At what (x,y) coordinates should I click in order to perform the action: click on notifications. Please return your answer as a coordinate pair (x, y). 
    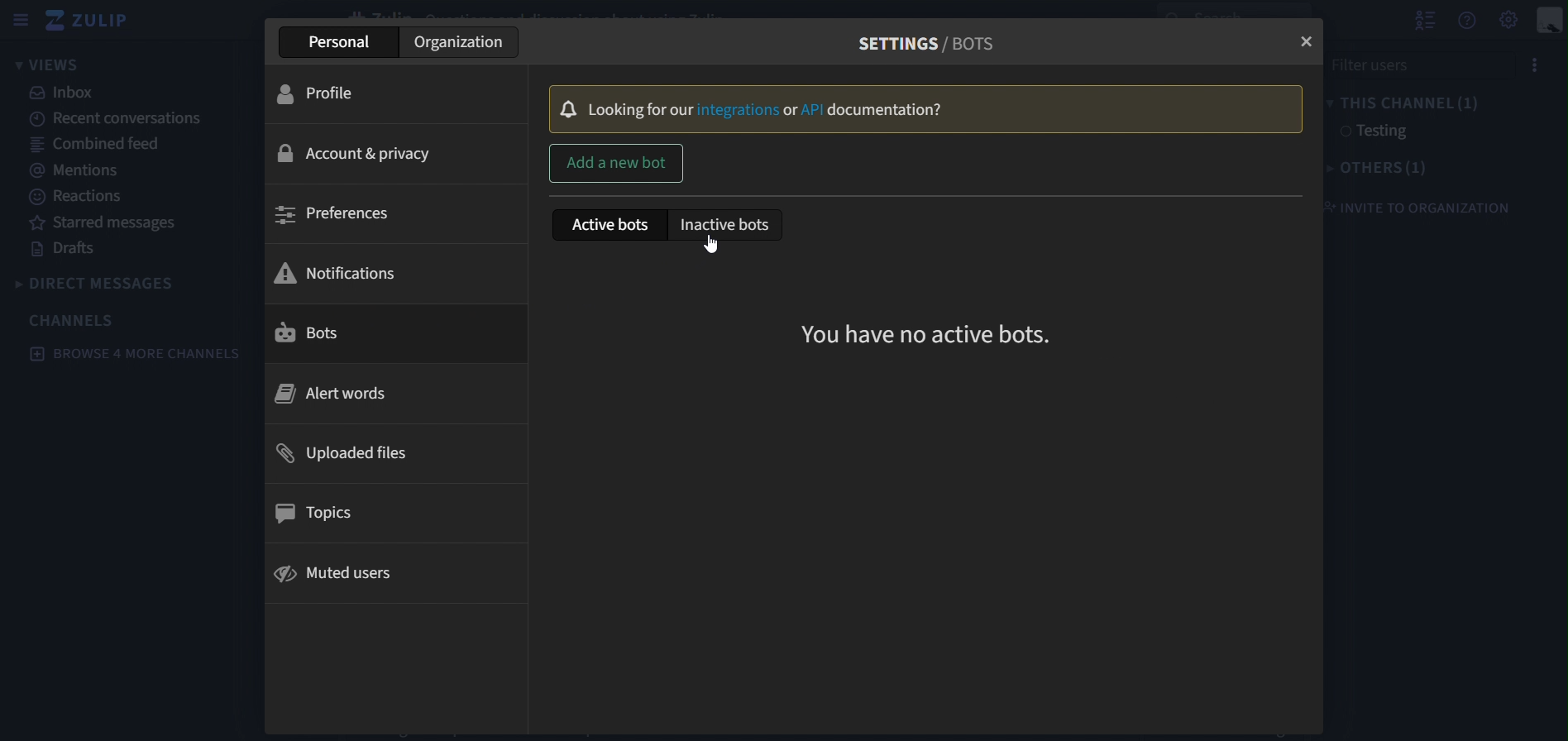
    Looking at the image, I should click on (336, 271).